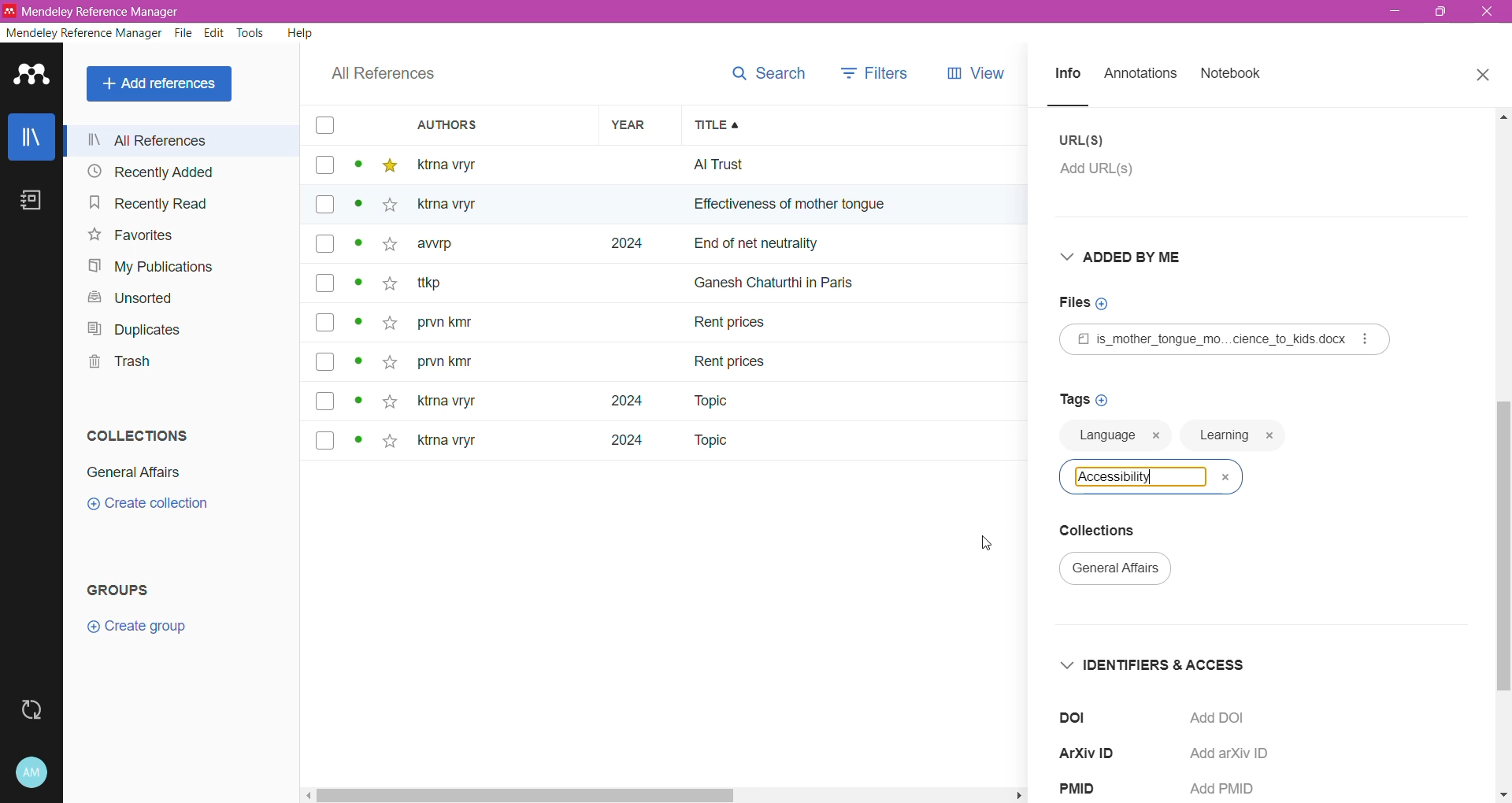 This screenshot has width=1512, height=803. I want to click on dot , so click(358, 248).